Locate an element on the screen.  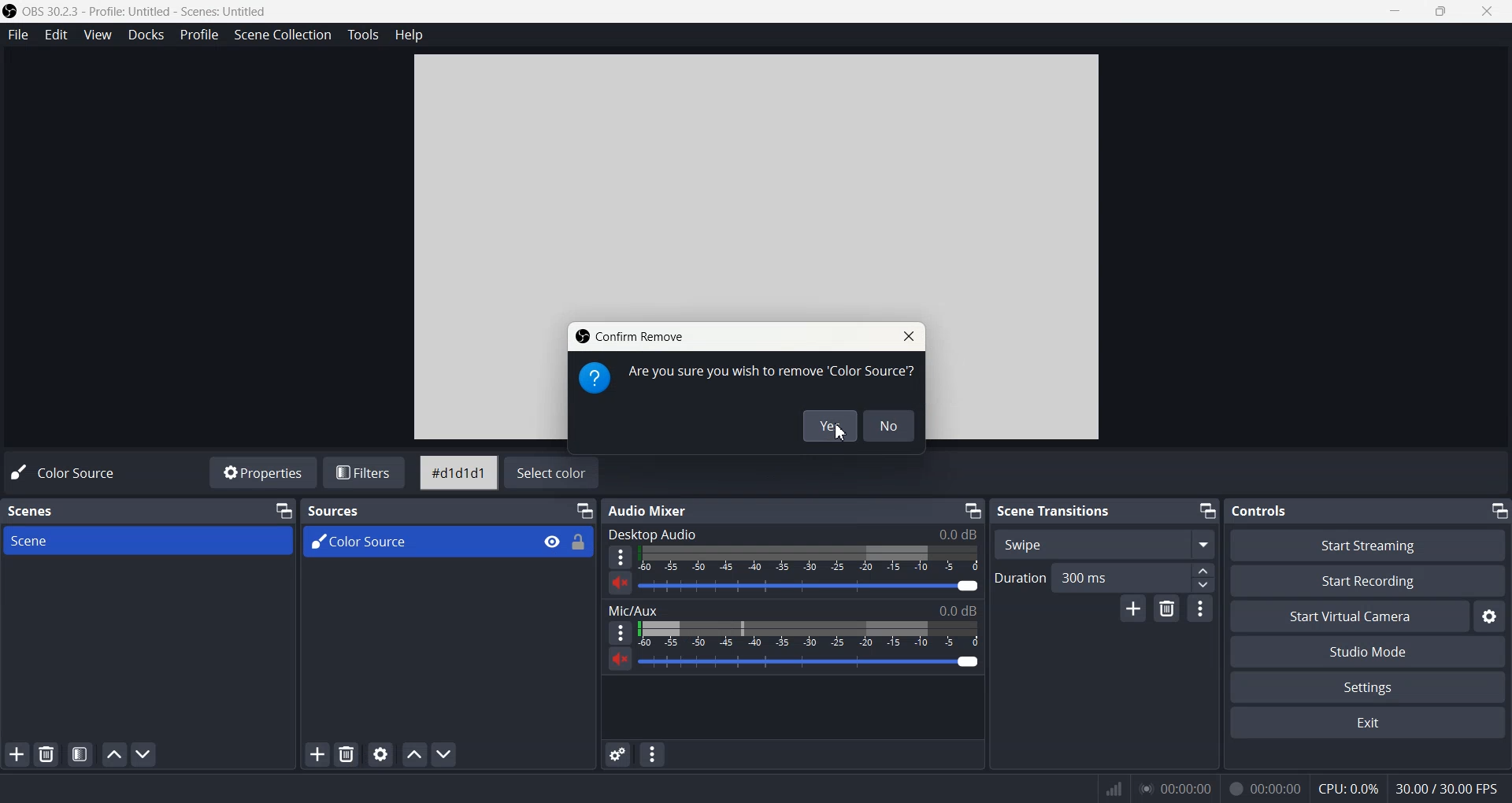
30.00/30.00 FPS is located at coordinates (1449, 787).